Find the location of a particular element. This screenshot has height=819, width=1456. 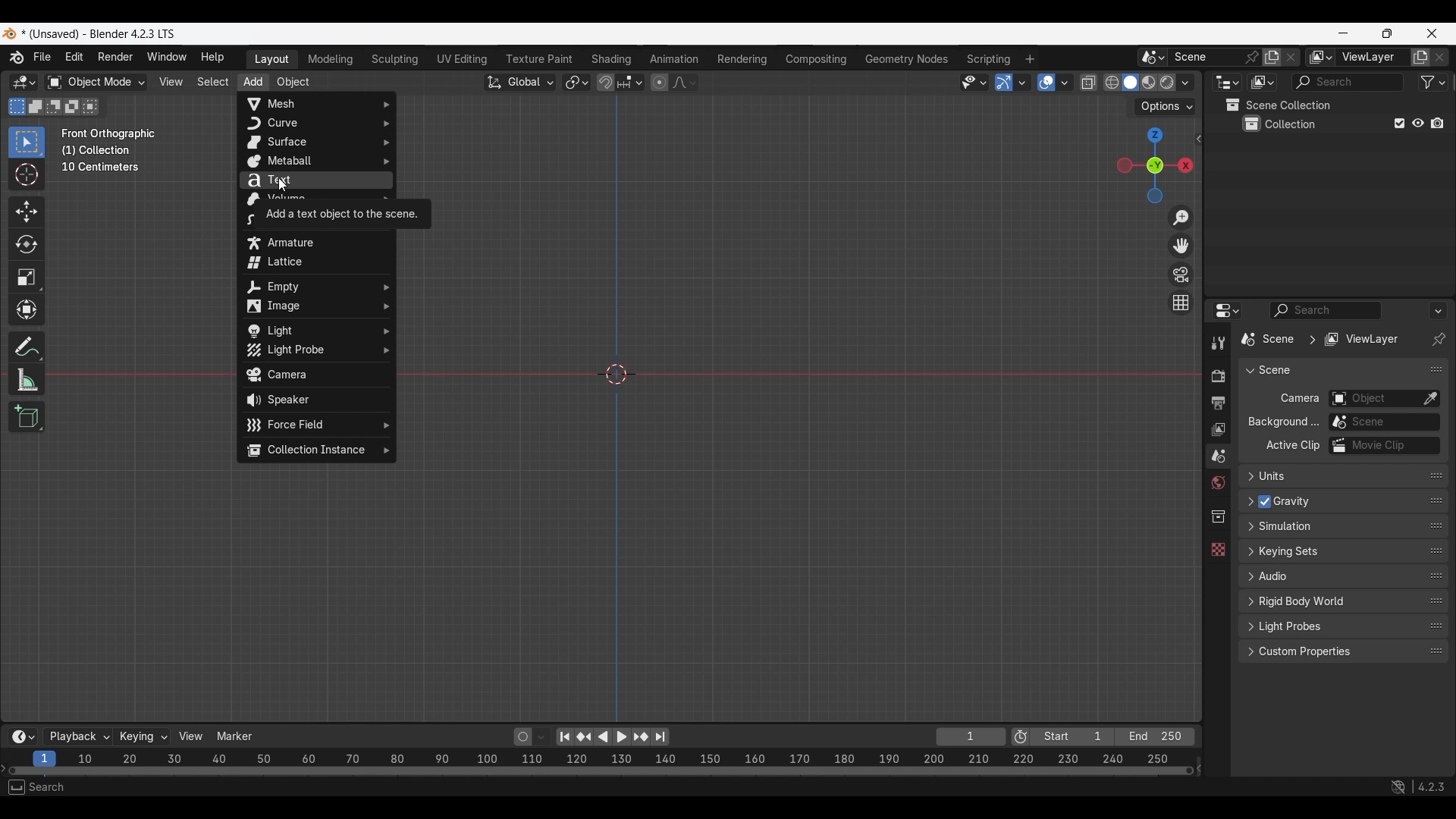

Move is located at coordinates (27, 212).